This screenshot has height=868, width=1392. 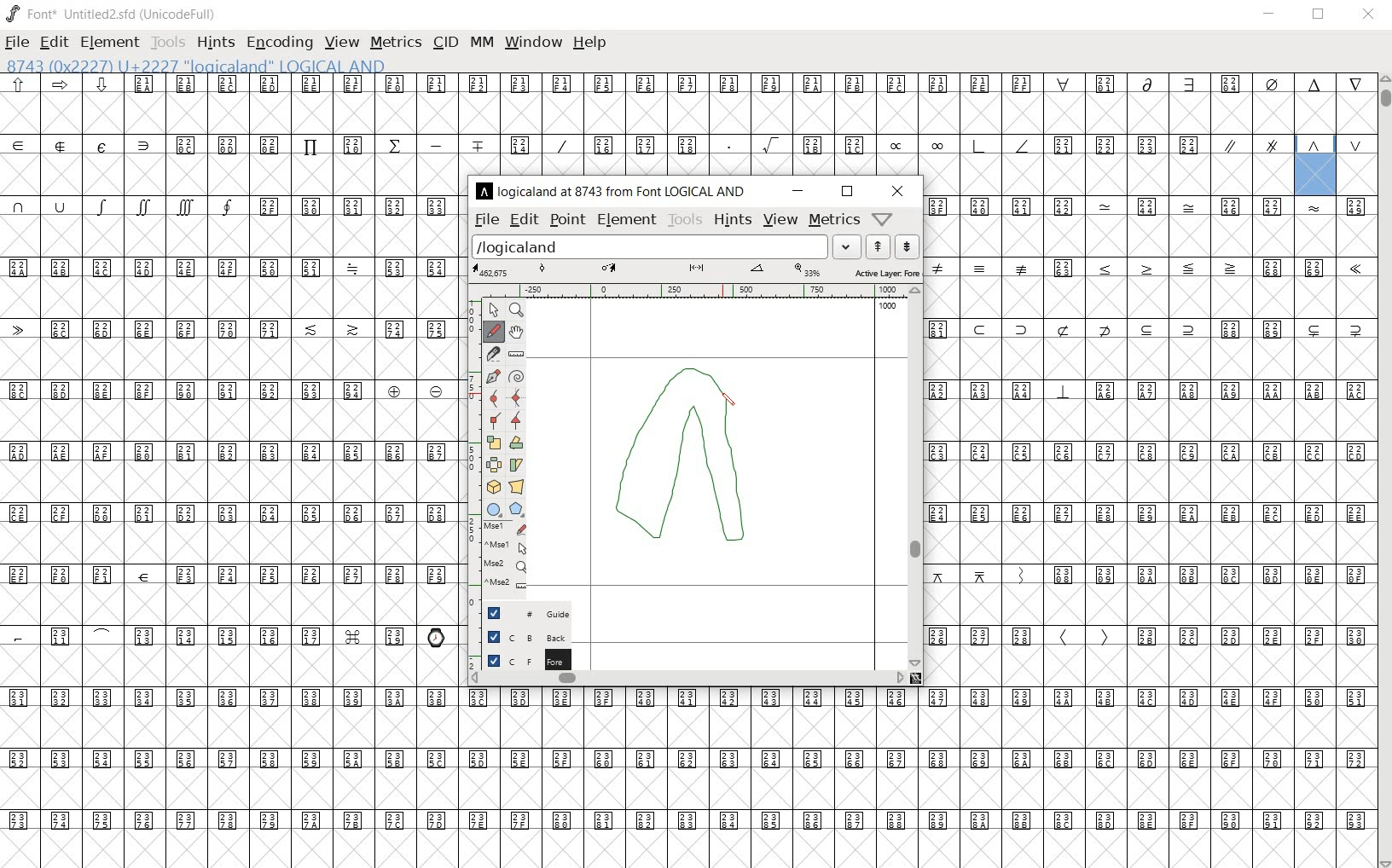 What do you see at coordinates (917, 477) in the screenshot?
I see `scrollbar` at bounding box center [917, 477].